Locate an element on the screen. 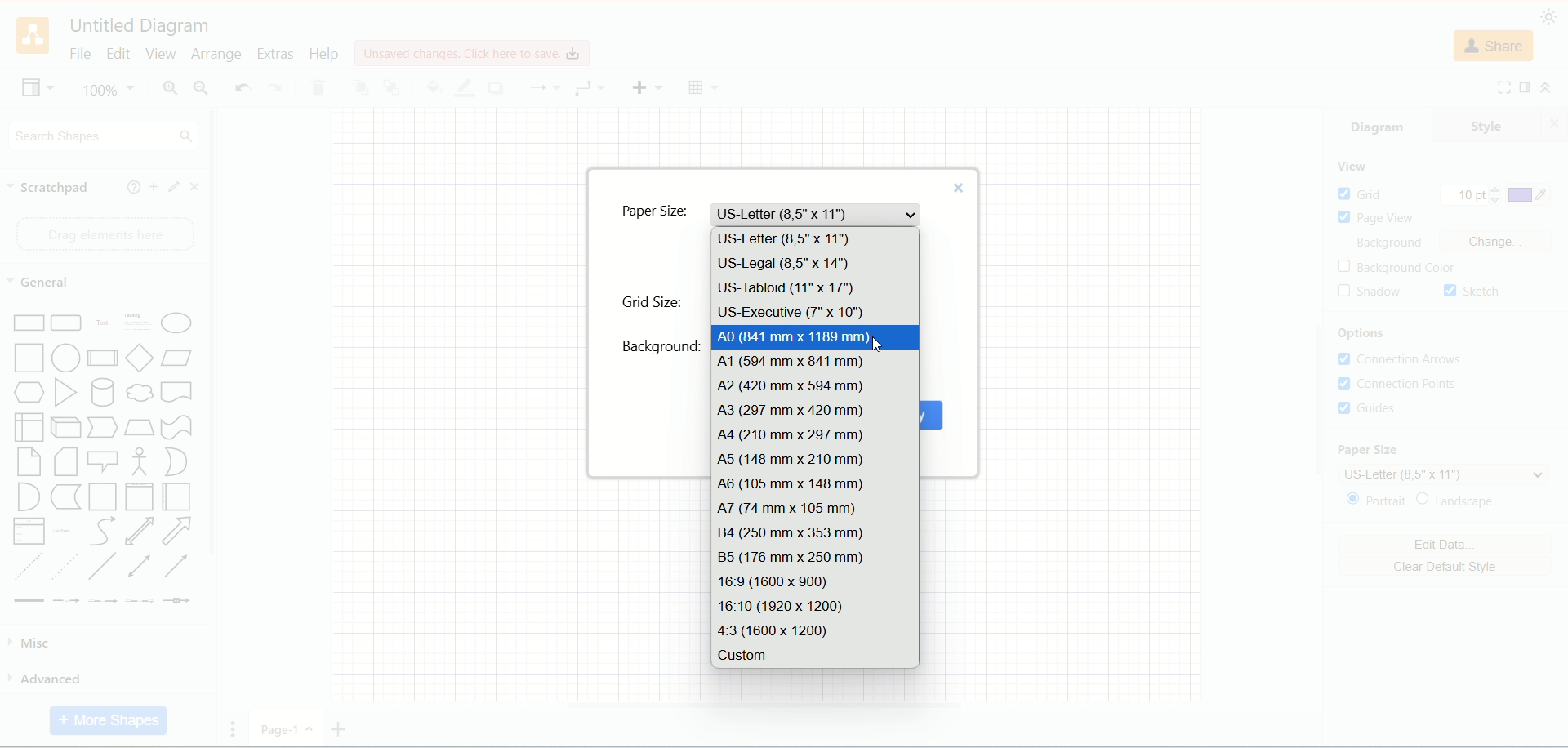 This screenshot has height=748, width=1568. extras is located at coordinates (276, 52).